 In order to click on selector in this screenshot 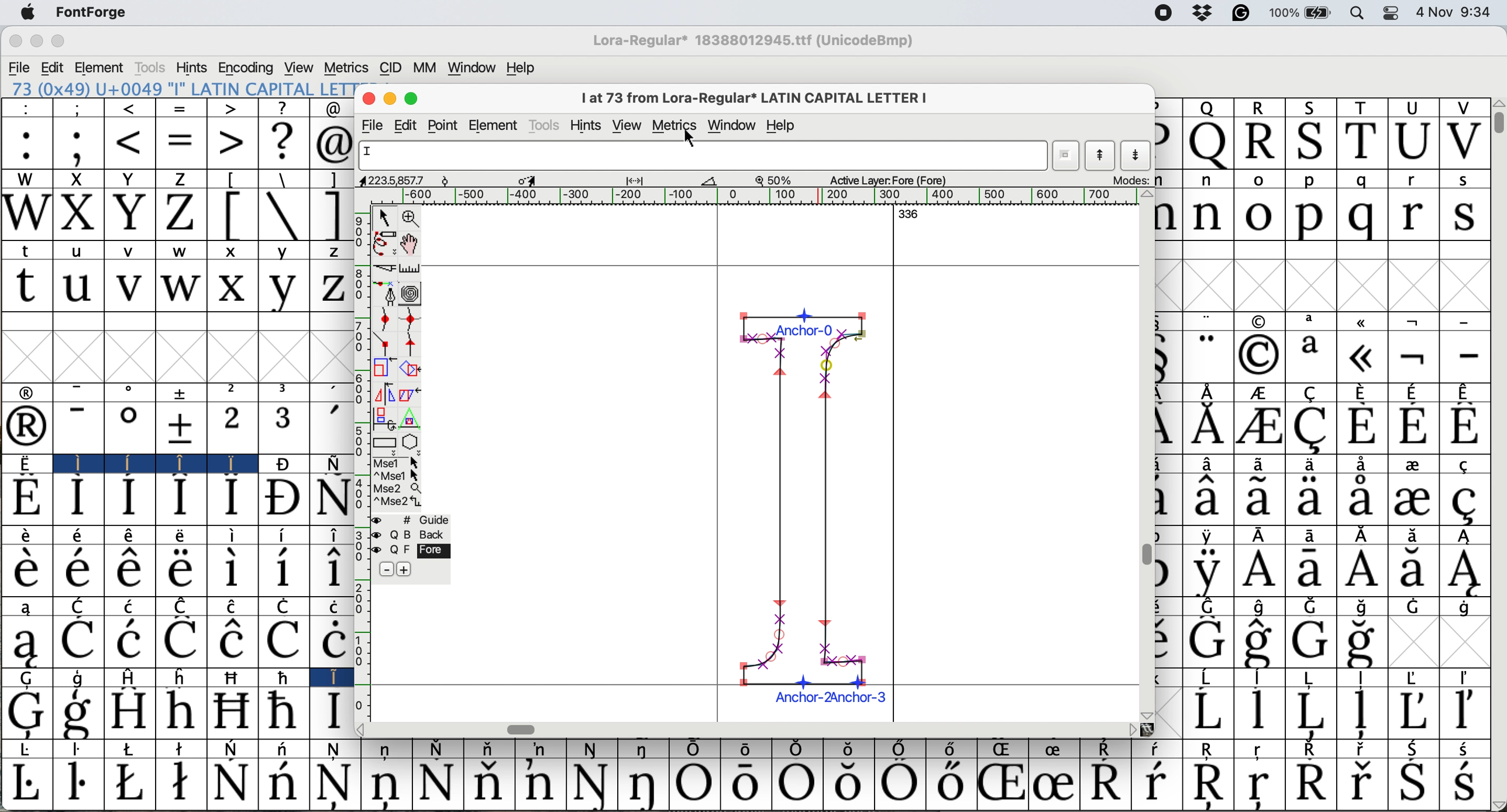, I will do `click(384, 216)`.